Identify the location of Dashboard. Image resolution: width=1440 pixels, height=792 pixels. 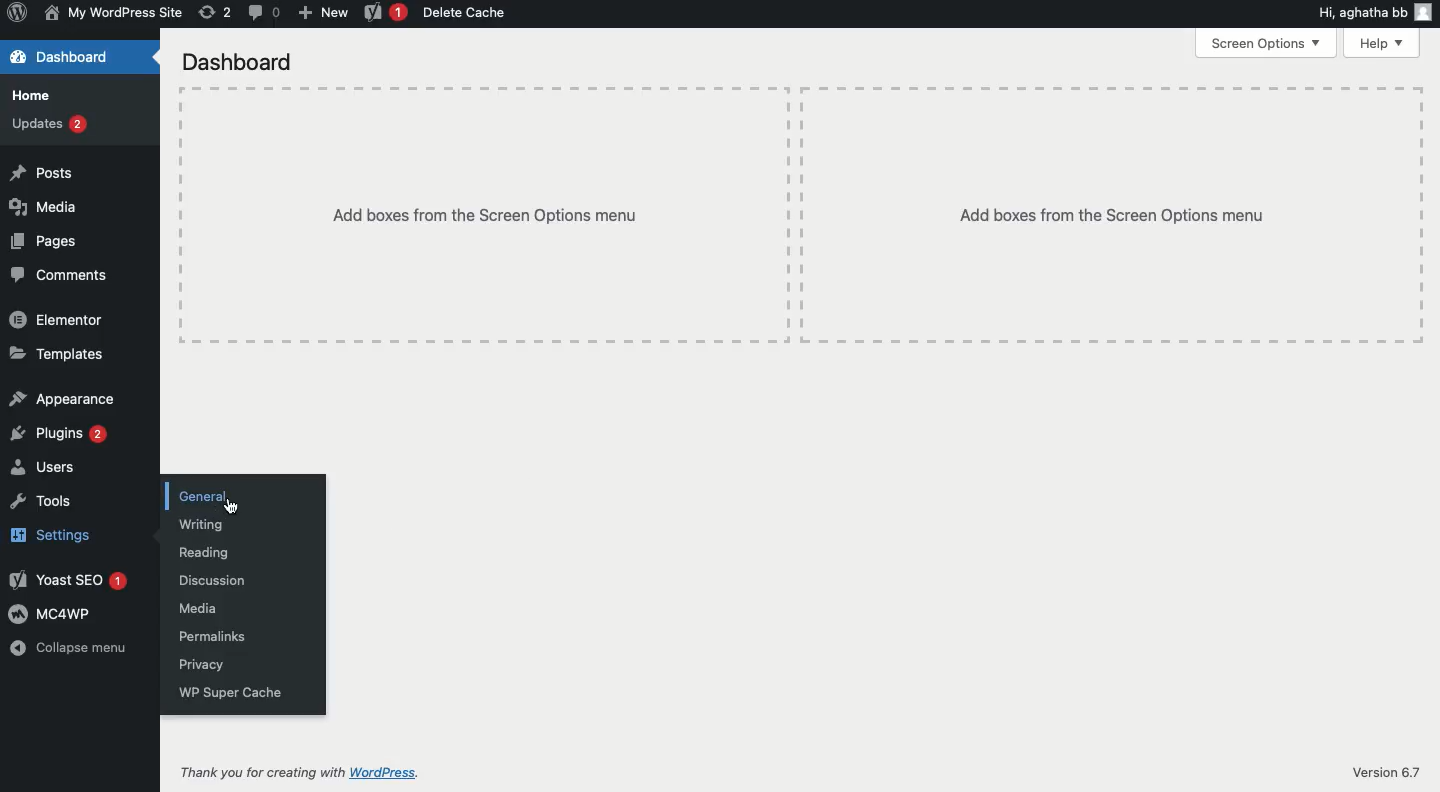
(236, 61).